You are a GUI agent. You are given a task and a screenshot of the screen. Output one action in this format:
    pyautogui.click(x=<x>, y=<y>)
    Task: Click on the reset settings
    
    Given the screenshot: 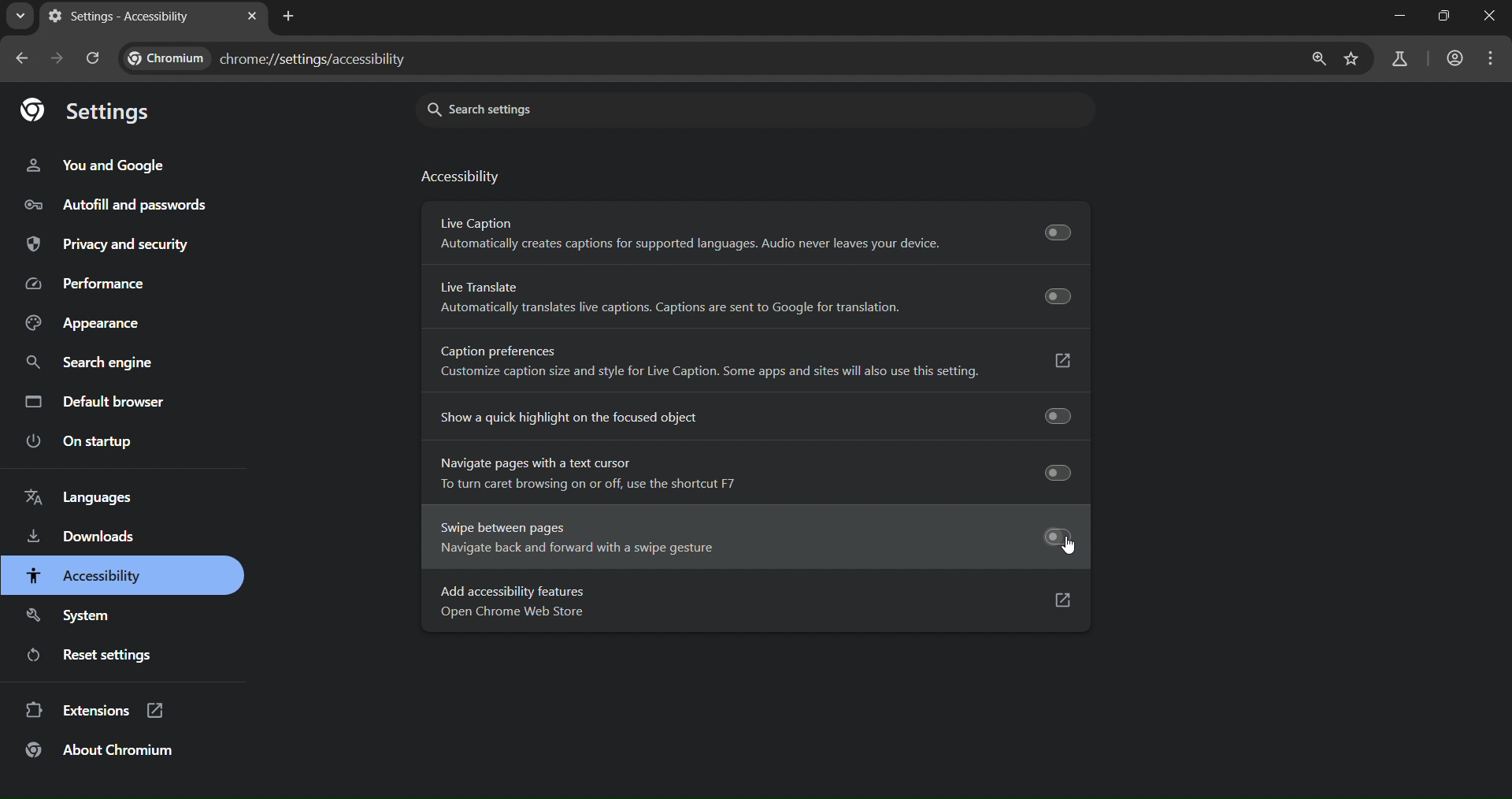 What is the action you would take?
    pyautogui.click(x=100, y=657)
    